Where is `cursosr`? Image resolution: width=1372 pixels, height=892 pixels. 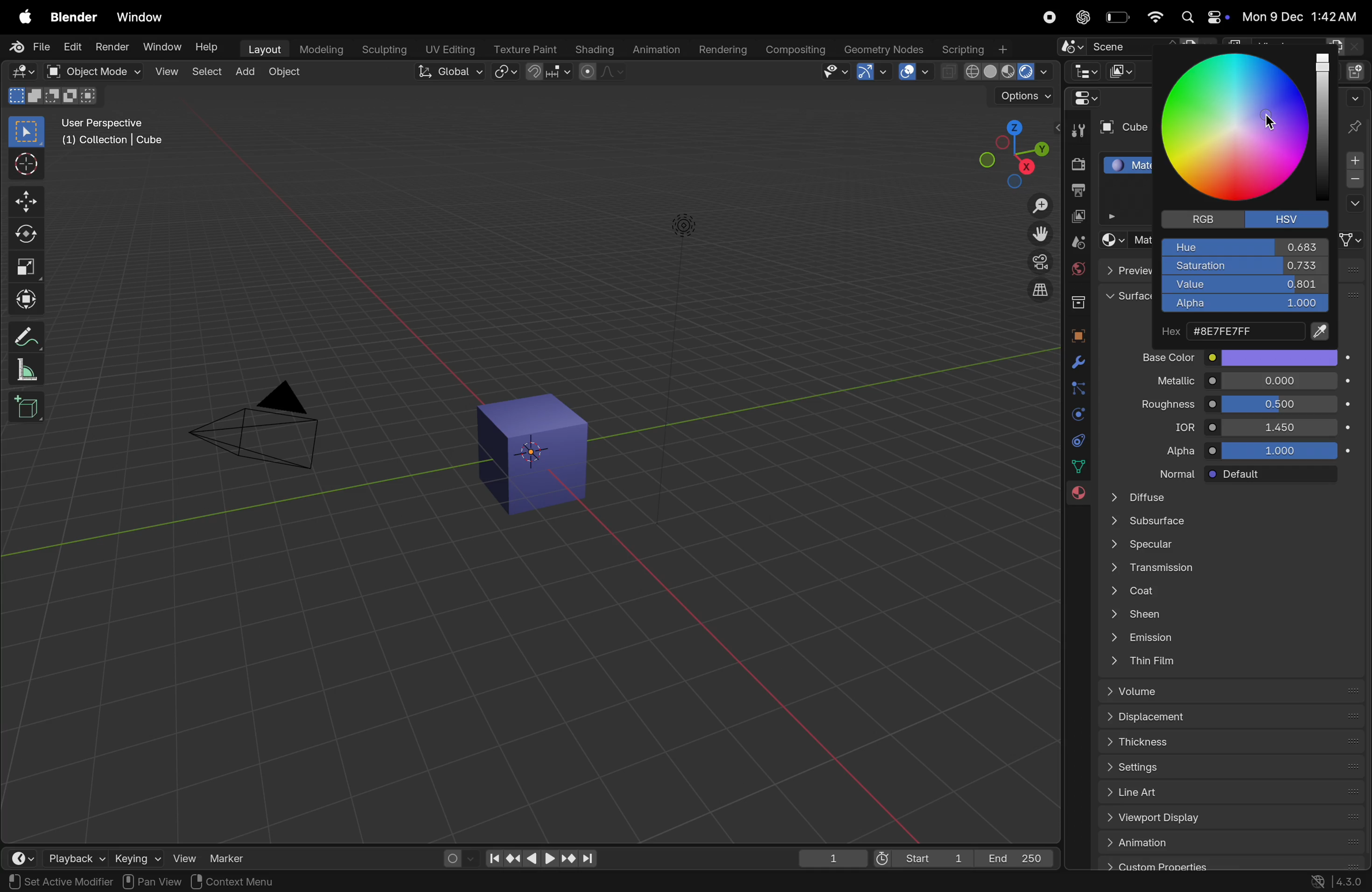
cursosr is located at coordinates (22, 165).